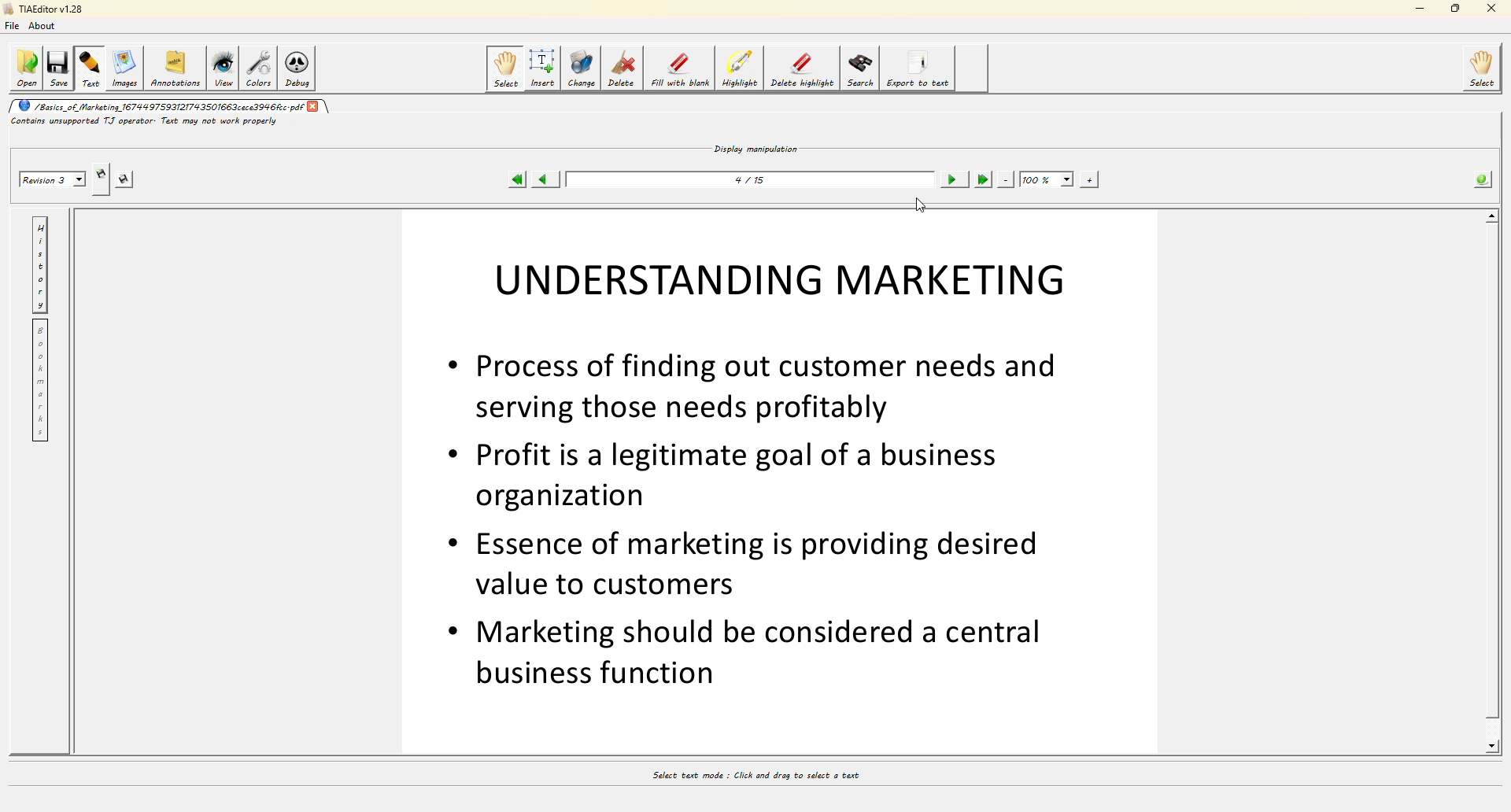 This screenshot has height=812, width=1511. I want to click on editor, so click(48, 9).